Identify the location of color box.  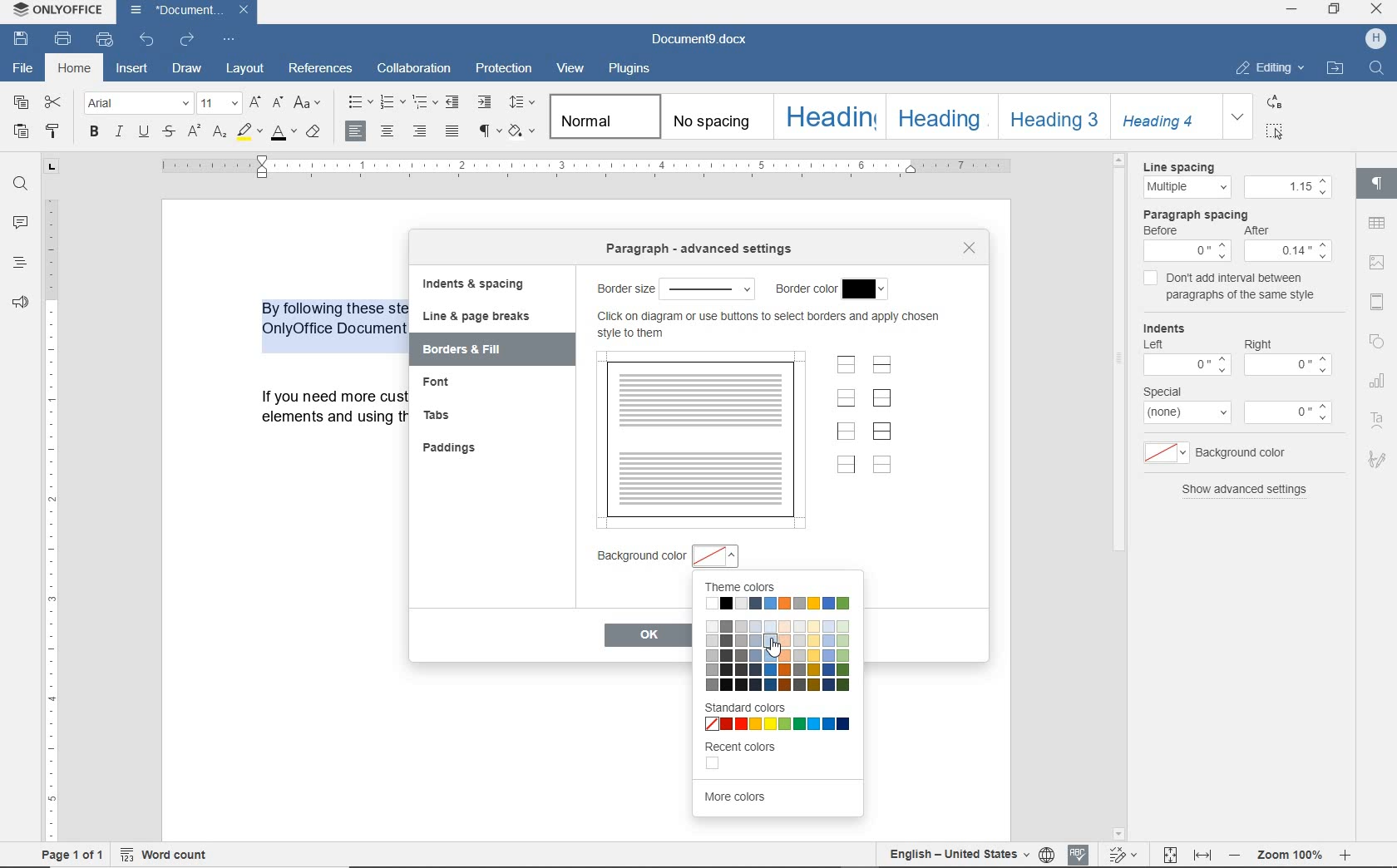
(717, 763).